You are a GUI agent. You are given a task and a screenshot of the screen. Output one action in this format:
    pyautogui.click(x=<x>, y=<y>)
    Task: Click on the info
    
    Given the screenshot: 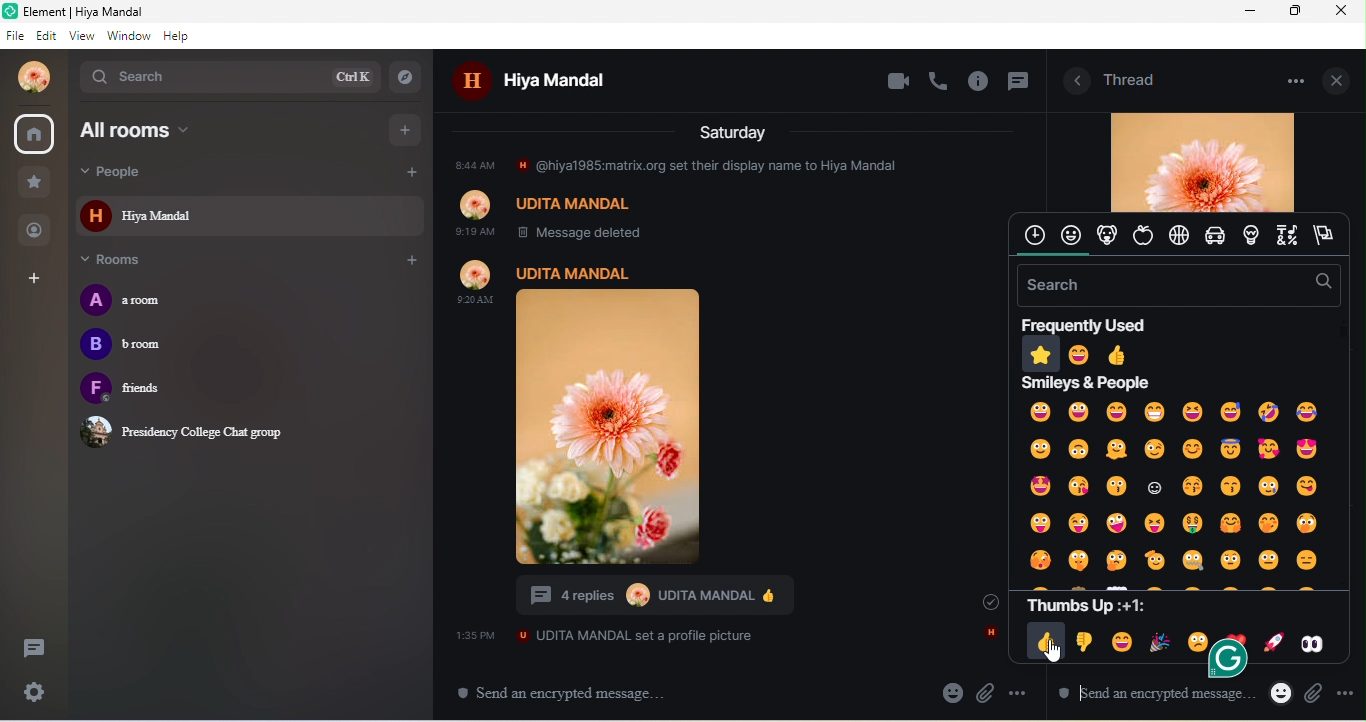 What is the action you would take?
    pyautogui.click(x=980, y=83)
    